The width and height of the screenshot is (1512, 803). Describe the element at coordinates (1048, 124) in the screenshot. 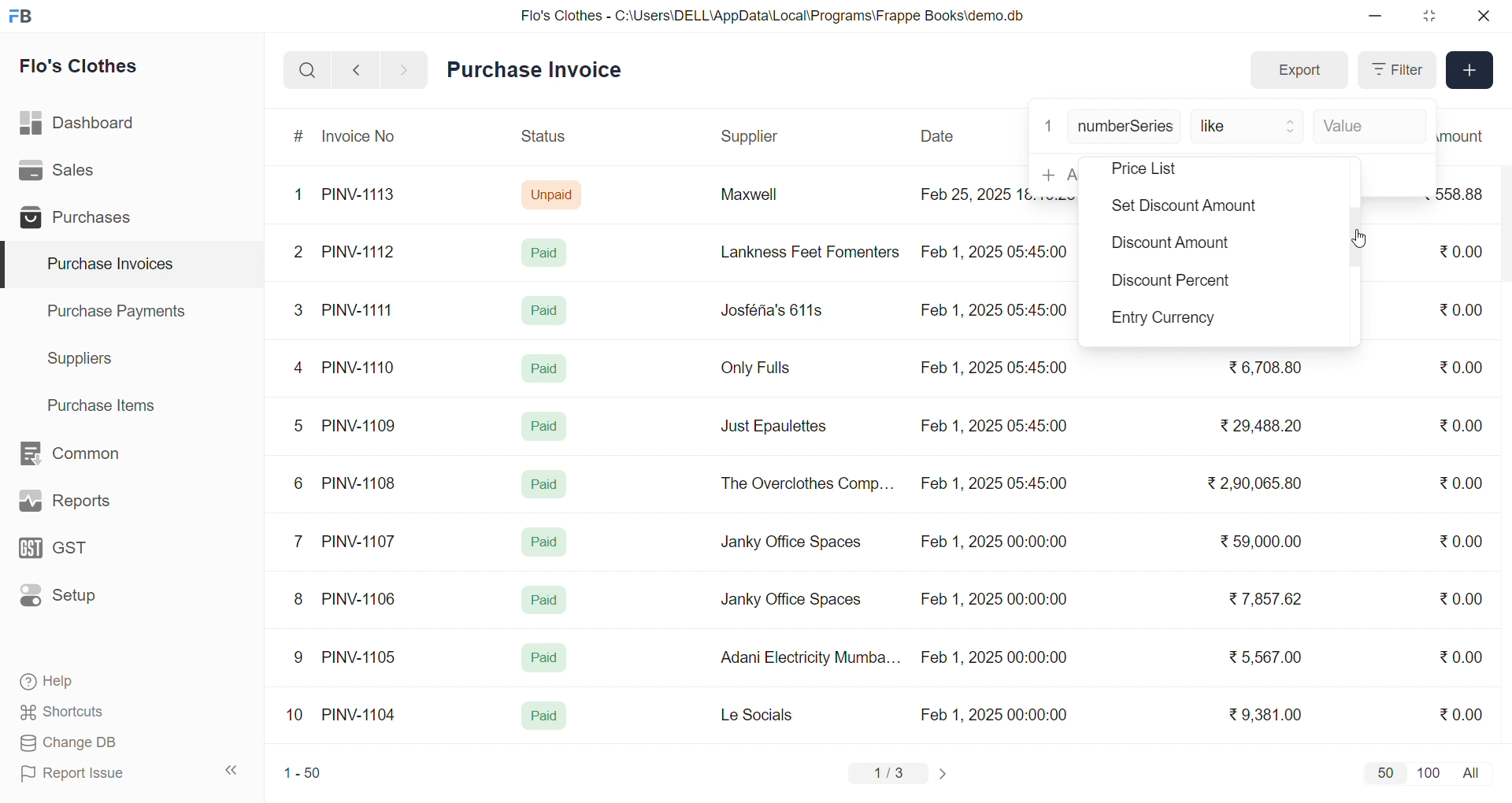

I see `1` at that location.